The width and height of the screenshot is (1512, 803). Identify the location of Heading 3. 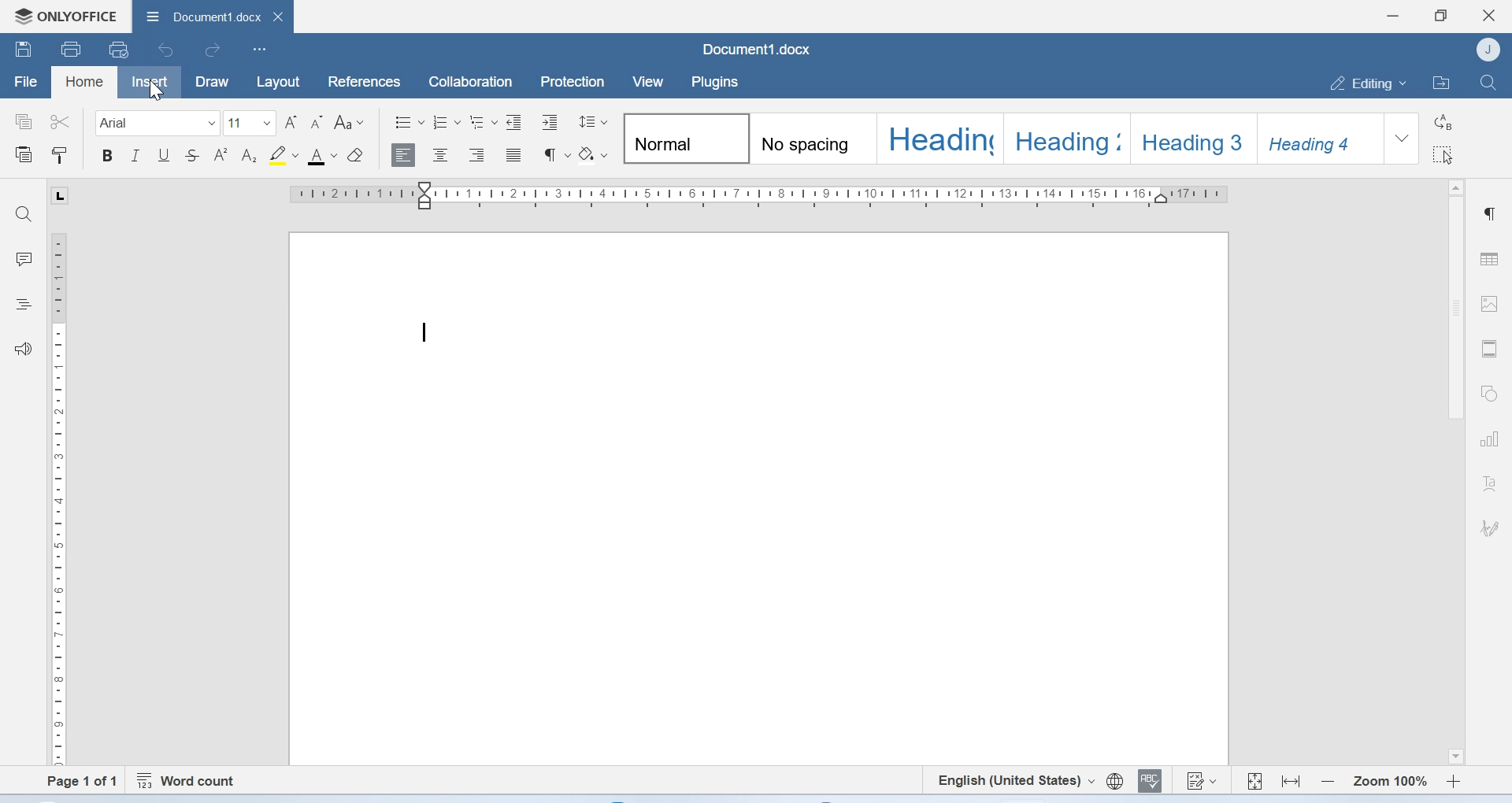
(1191, 136).